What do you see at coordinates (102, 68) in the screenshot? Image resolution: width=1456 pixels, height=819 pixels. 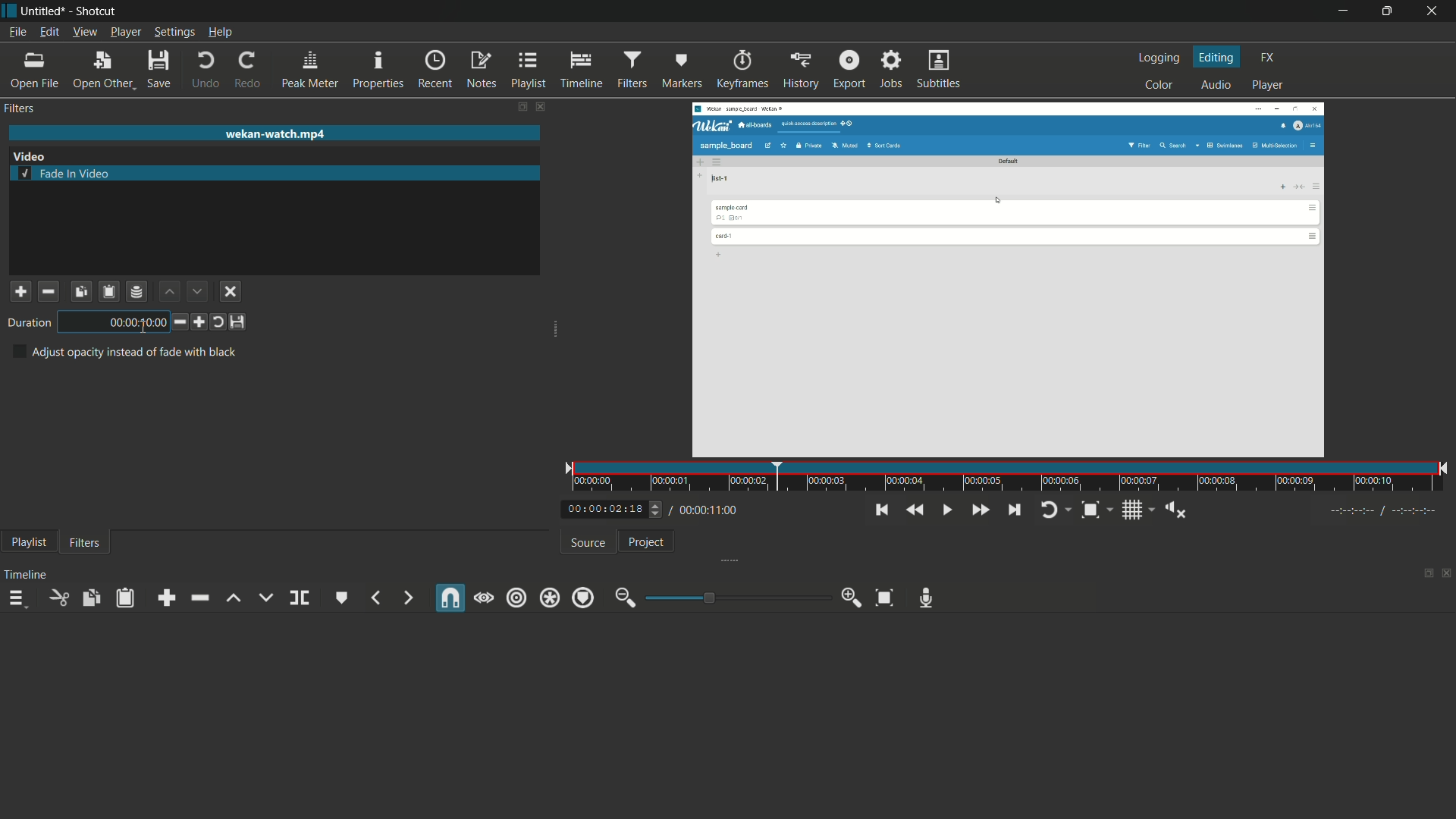 I see `open other` at bounding box center [102, 68].